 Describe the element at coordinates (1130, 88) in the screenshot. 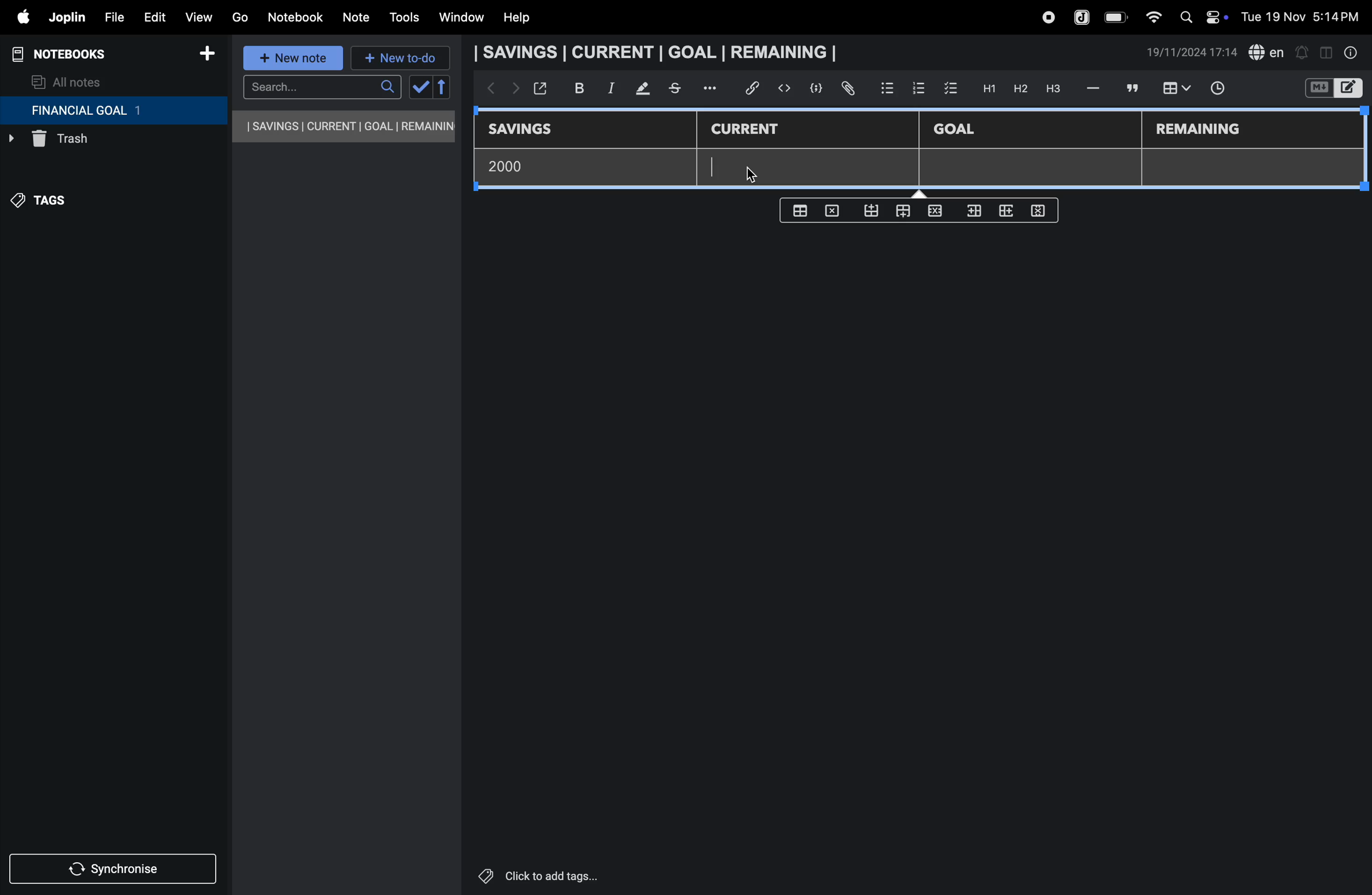

I see `comment` at that location.